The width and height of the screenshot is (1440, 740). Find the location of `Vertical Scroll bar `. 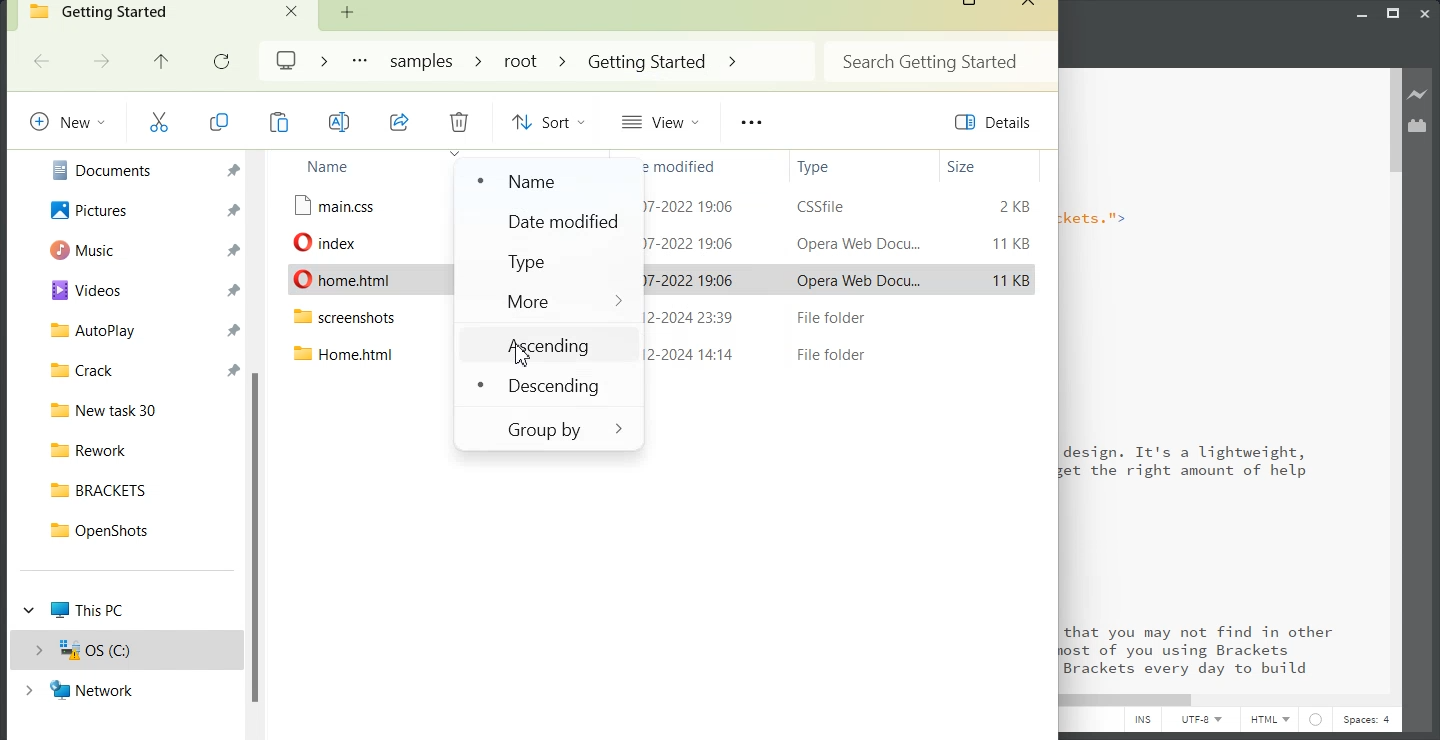

Vertical Scroll bar  is located at coordinates (1393, 379).